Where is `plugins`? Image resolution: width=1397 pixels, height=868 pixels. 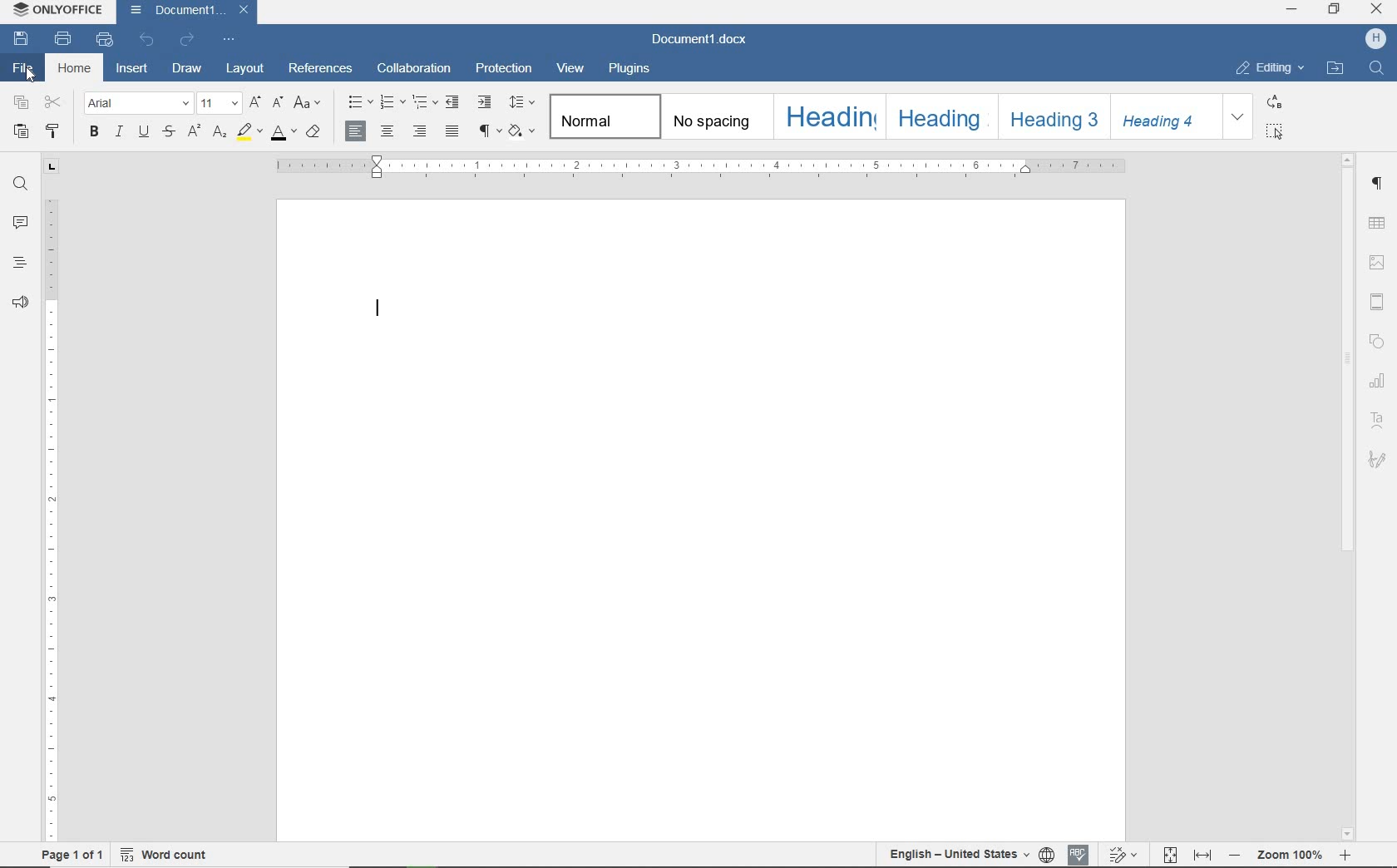 plugins is located at coordinates (631, 68).